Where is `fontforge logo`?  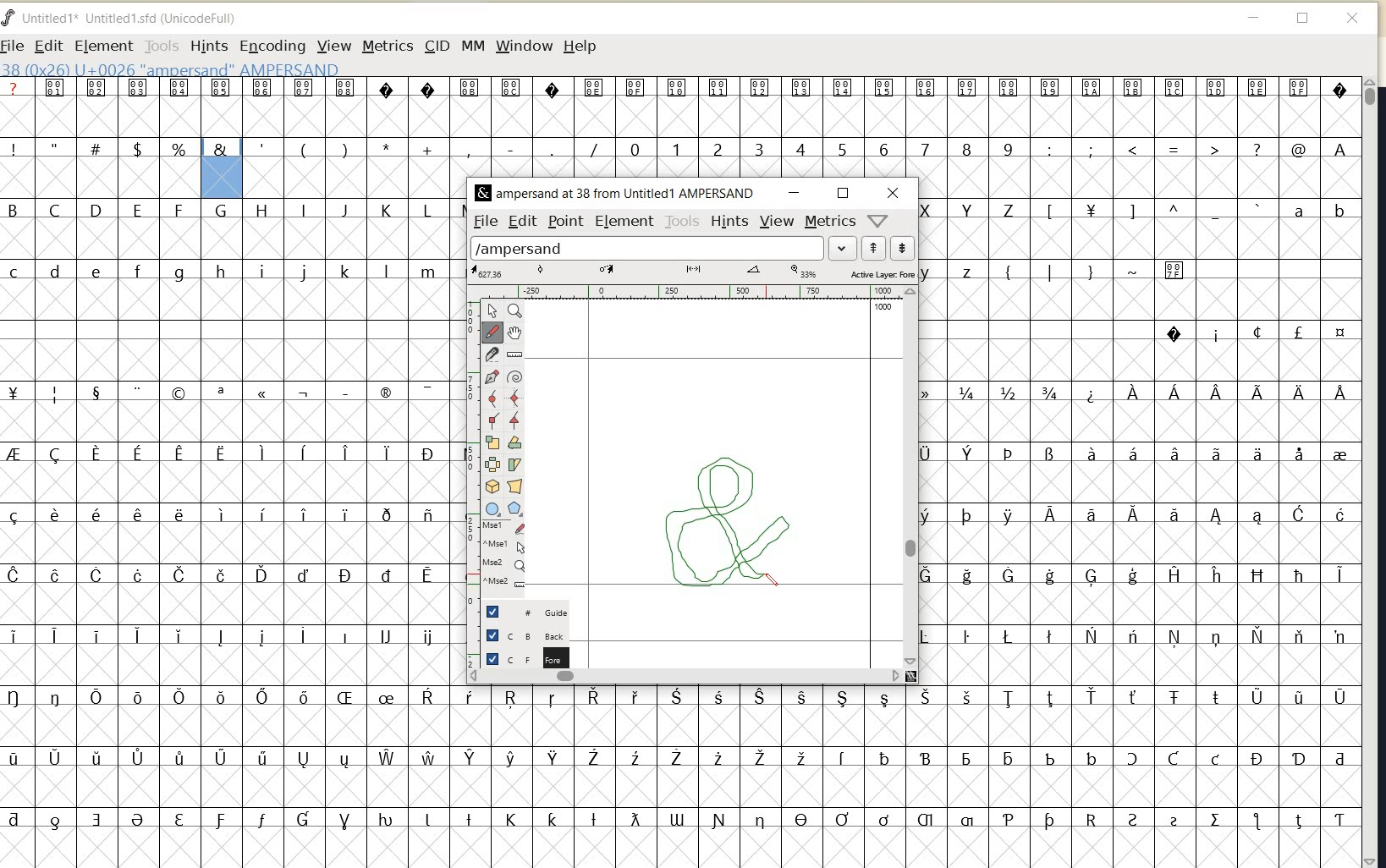
fontforge logo is located at coordinates (8, 20).